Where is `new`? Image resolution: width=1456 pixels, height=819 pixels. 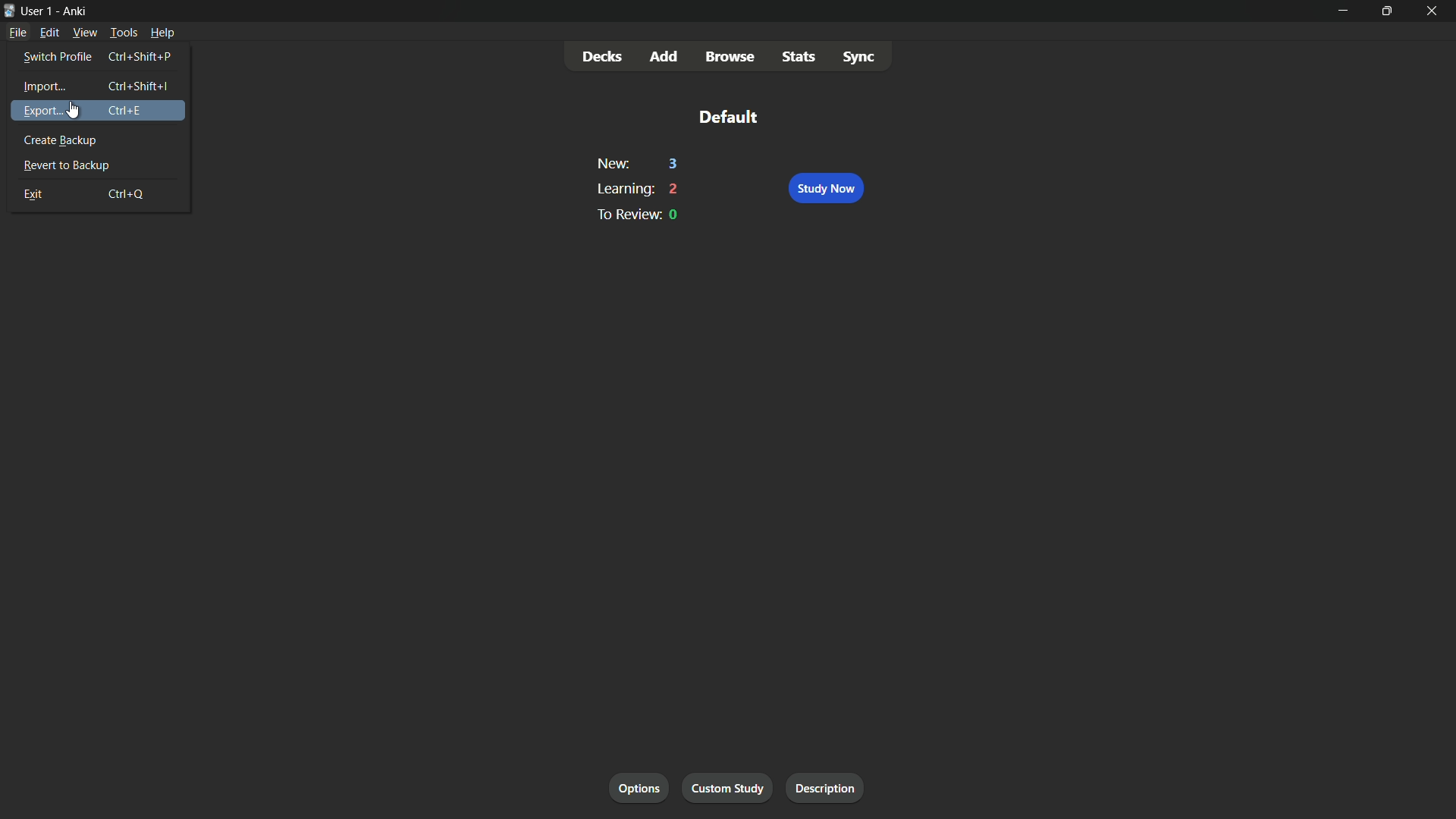 new is located at coordinates (612, 165).